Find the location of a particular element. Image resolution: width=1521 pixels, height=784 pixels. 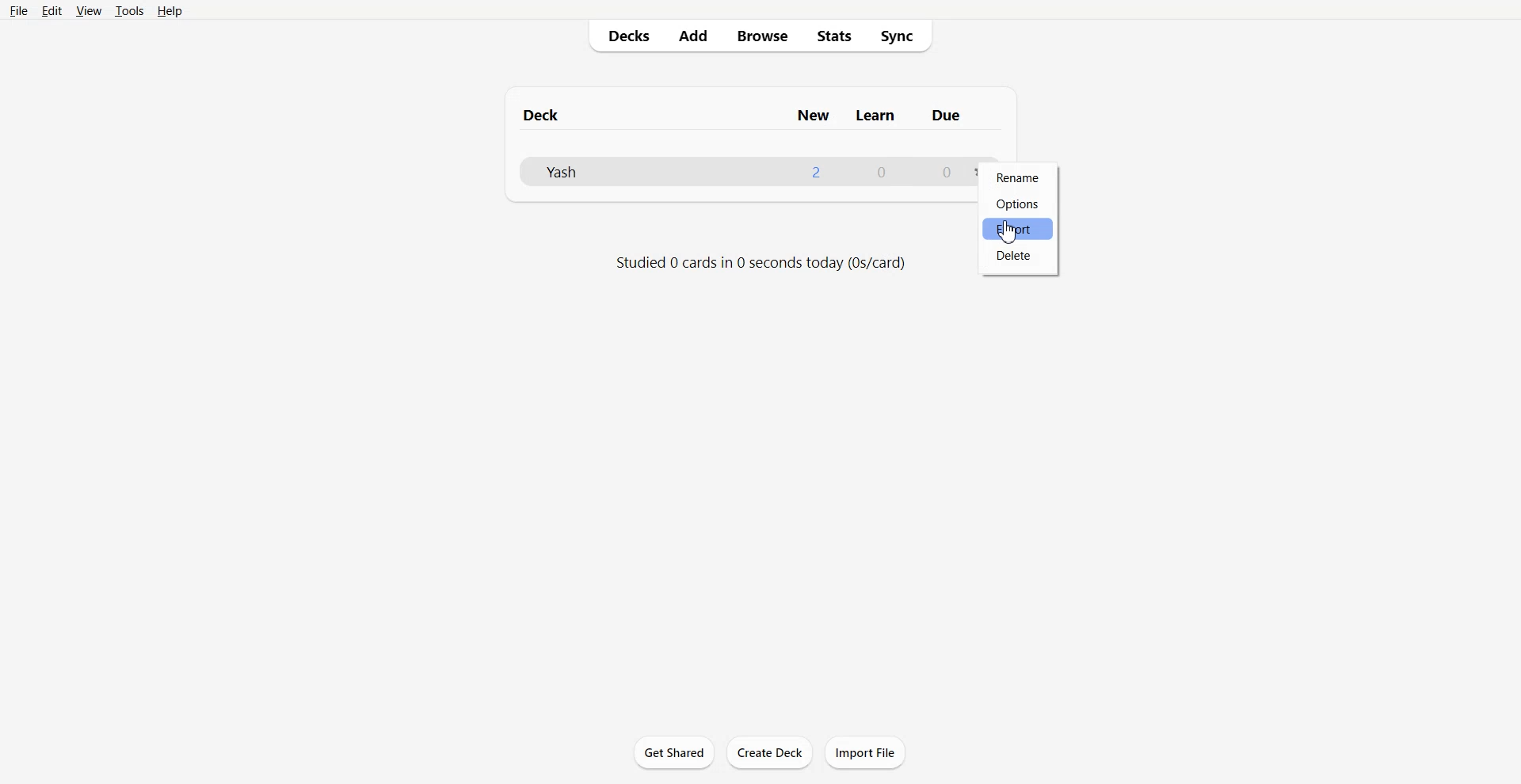

Delete is located at coordinates (1017, 255).